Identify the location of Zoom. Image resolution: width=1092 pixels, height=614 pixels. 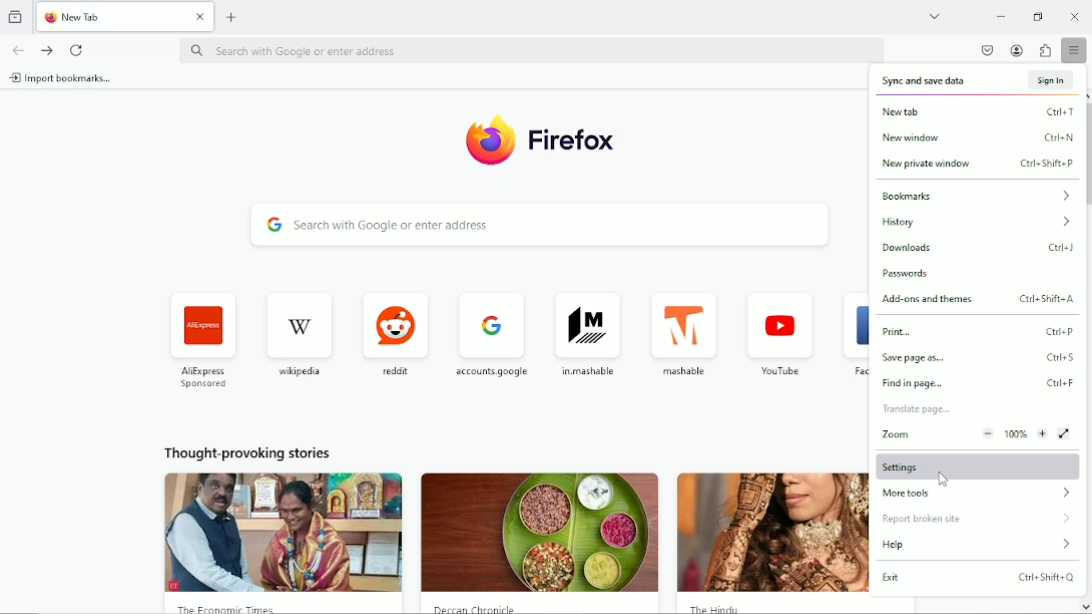
(978, 435).